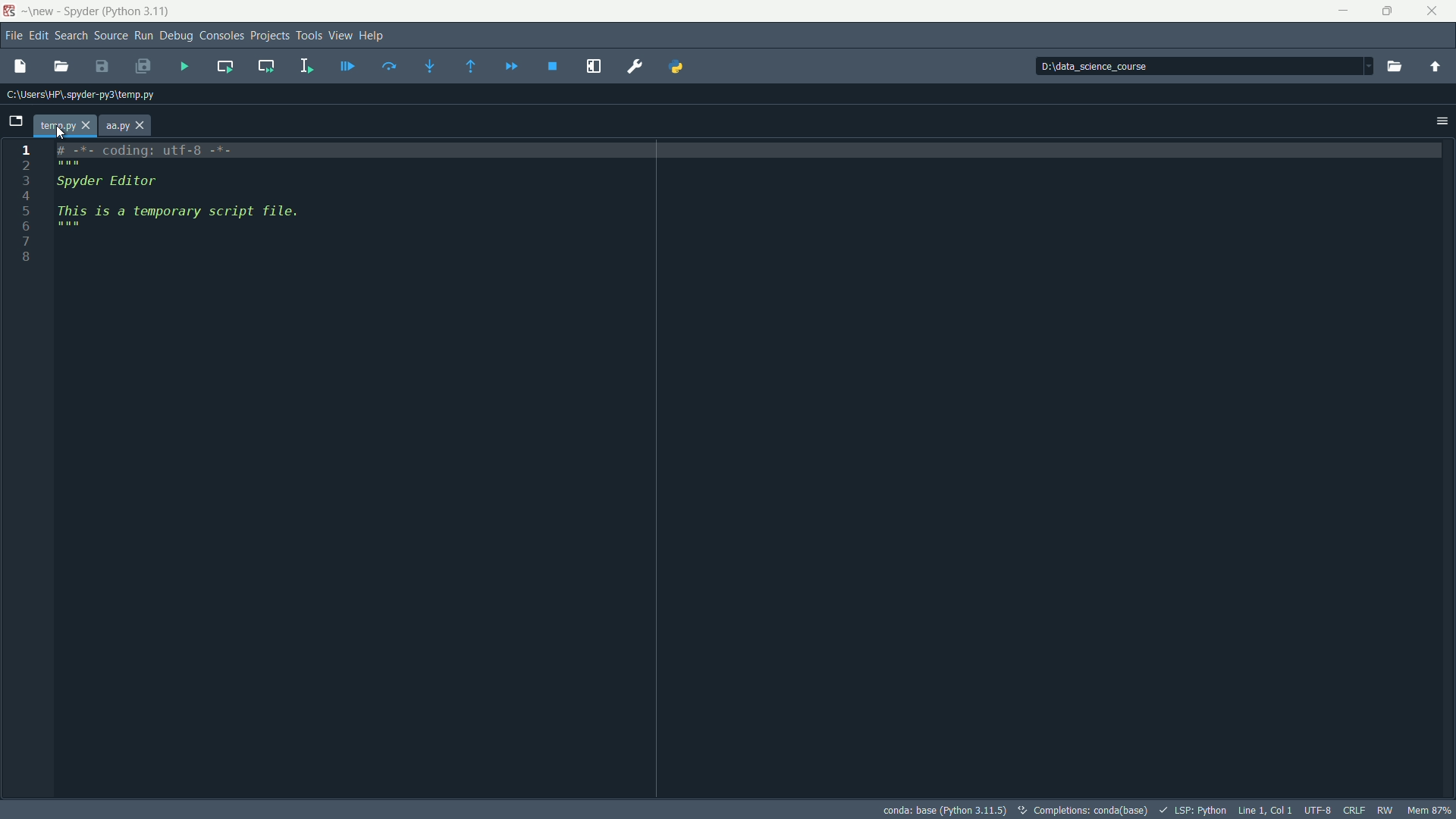  What do you see at coordinates (145, 149) in the screenshot?
I see `1 # -*- coding: utf-8 -*-` at bounding box center [145, 149].